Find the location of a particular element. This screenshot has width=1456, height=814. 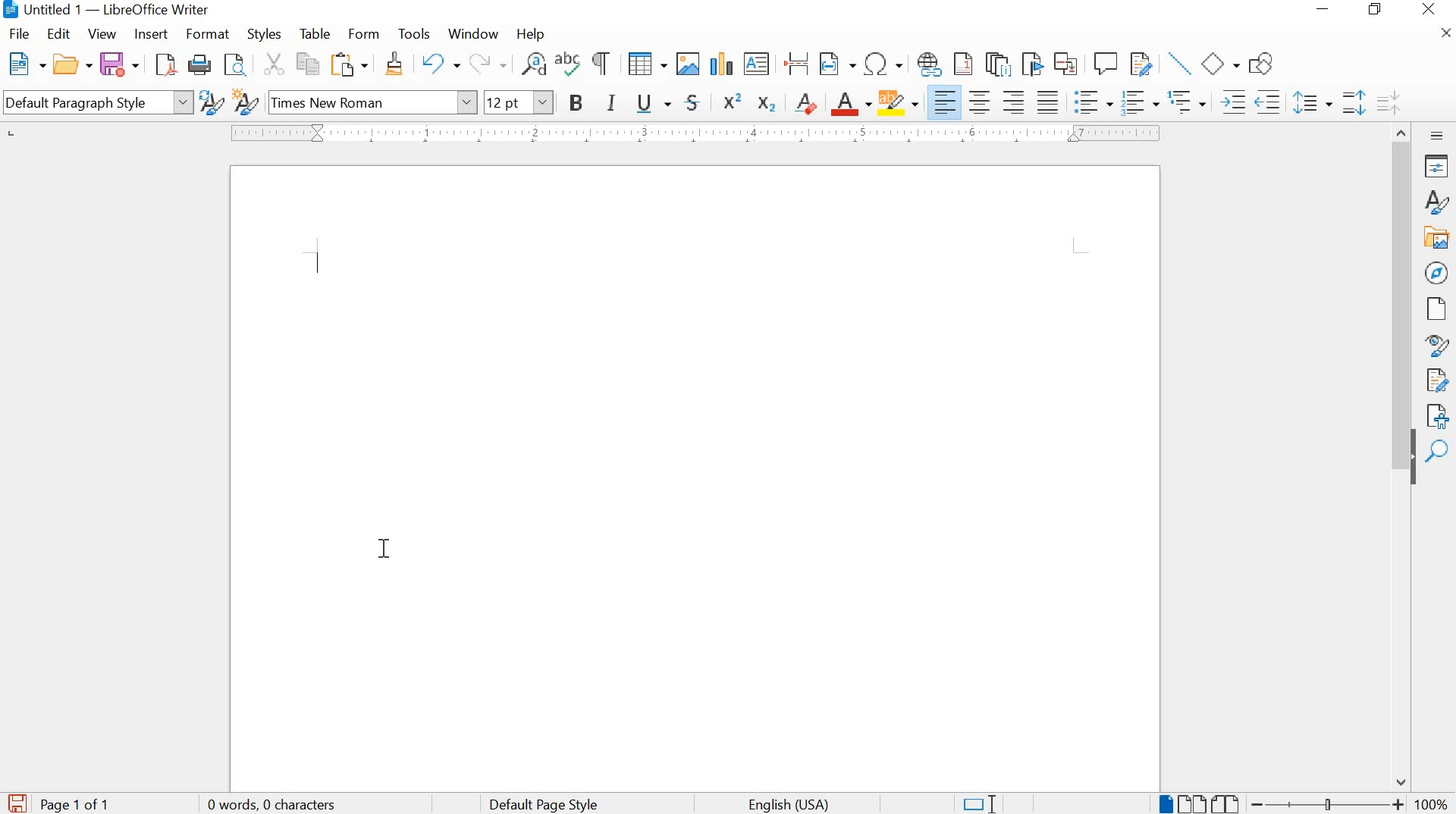

SHOW TRACK CHANGES is located at coordinates (1143, 64).